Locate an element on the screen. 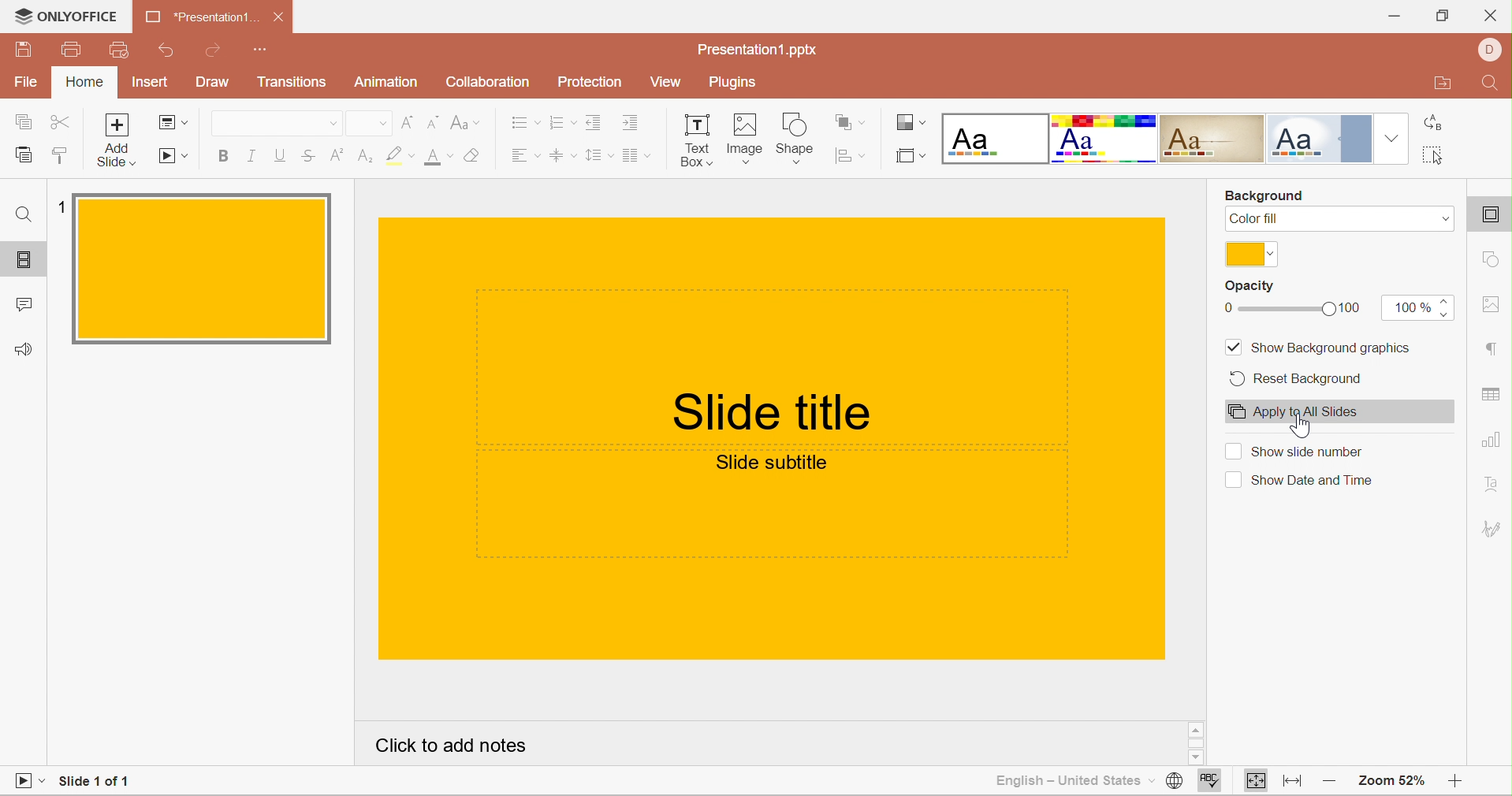  cursor is located at coordinates (1302, 426).